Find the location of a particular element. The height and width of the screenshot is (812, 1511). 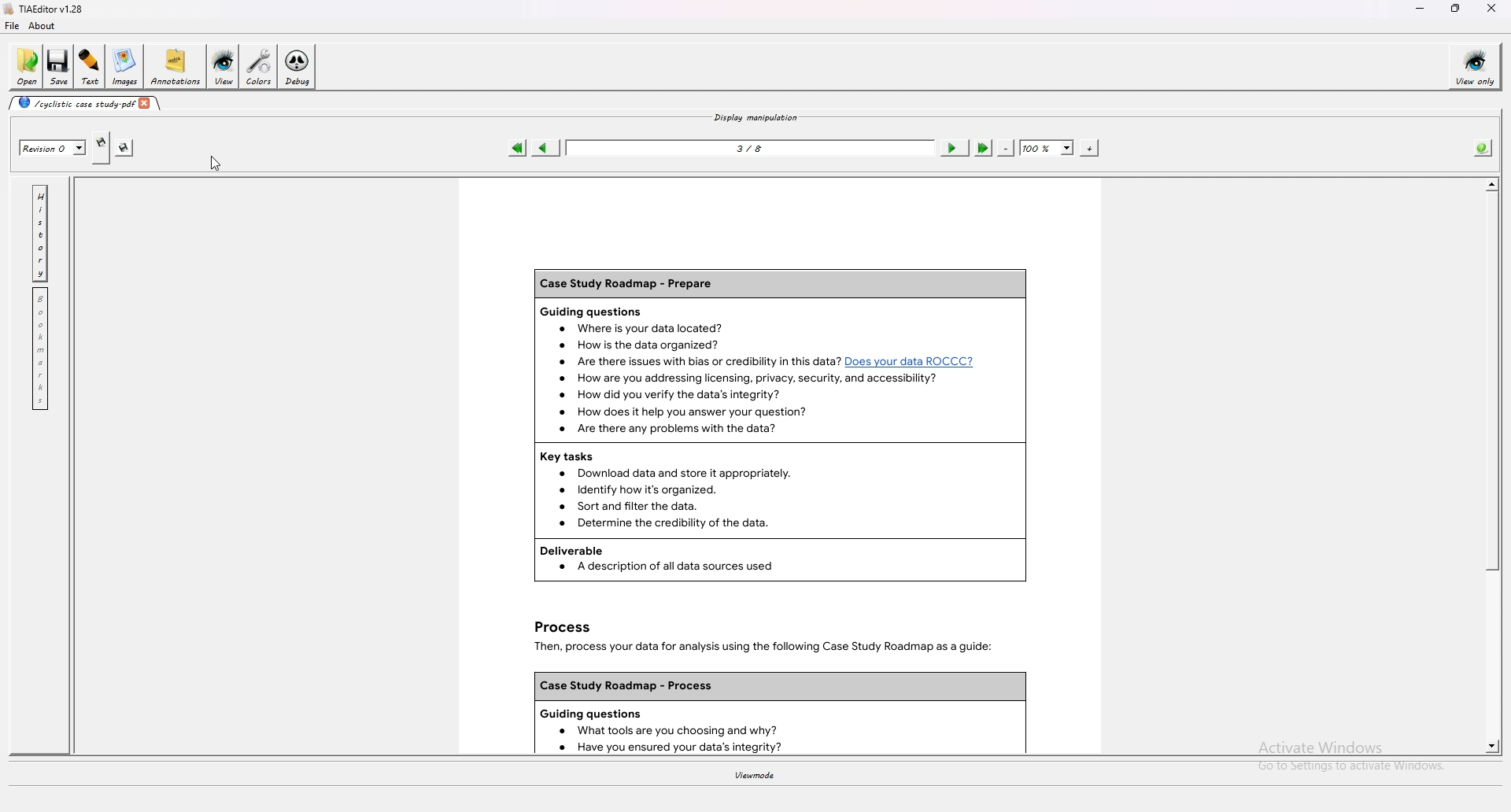

first page is located at coordinates (518, 147).